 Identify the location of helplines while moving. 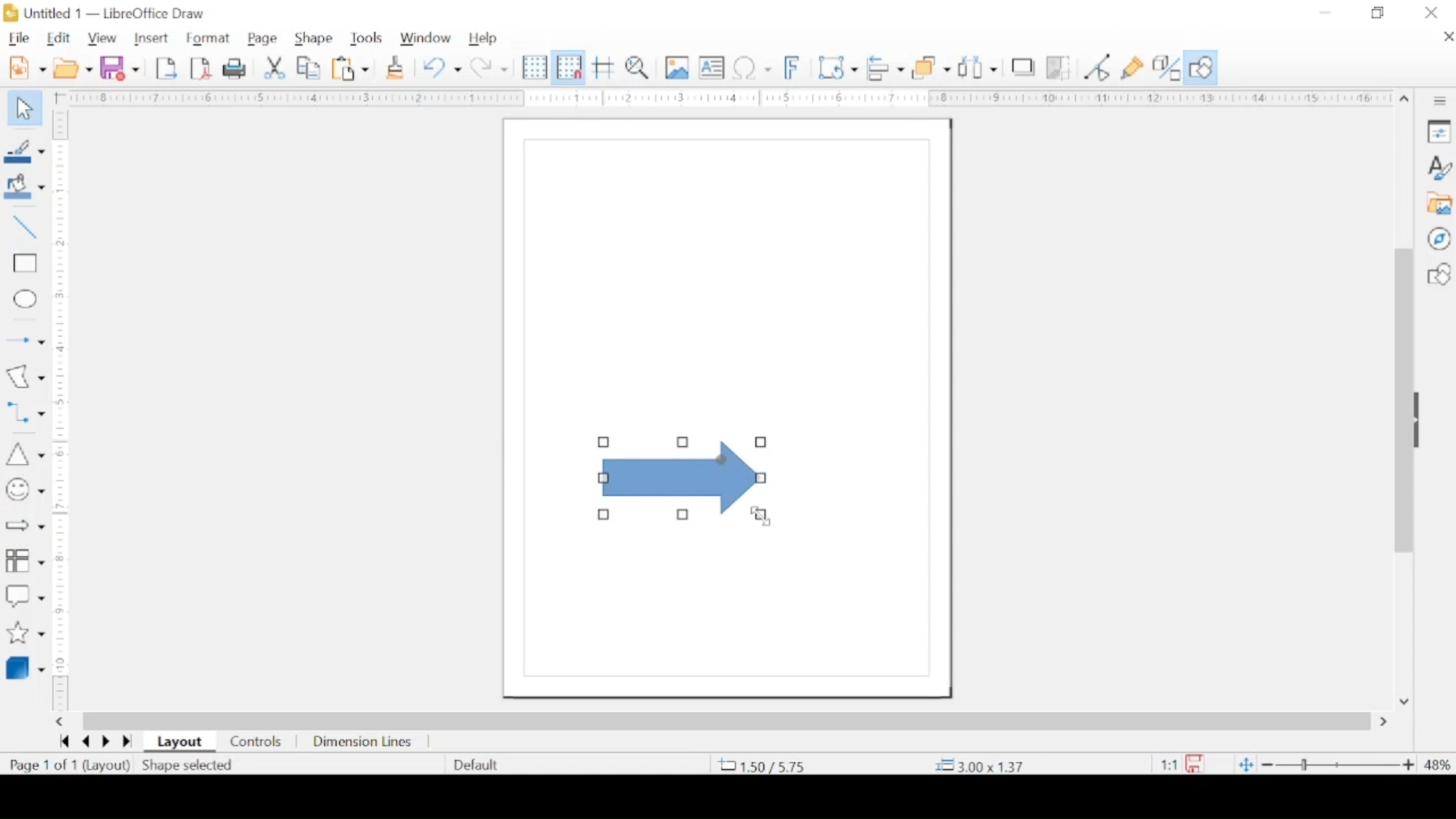
(604, 67).